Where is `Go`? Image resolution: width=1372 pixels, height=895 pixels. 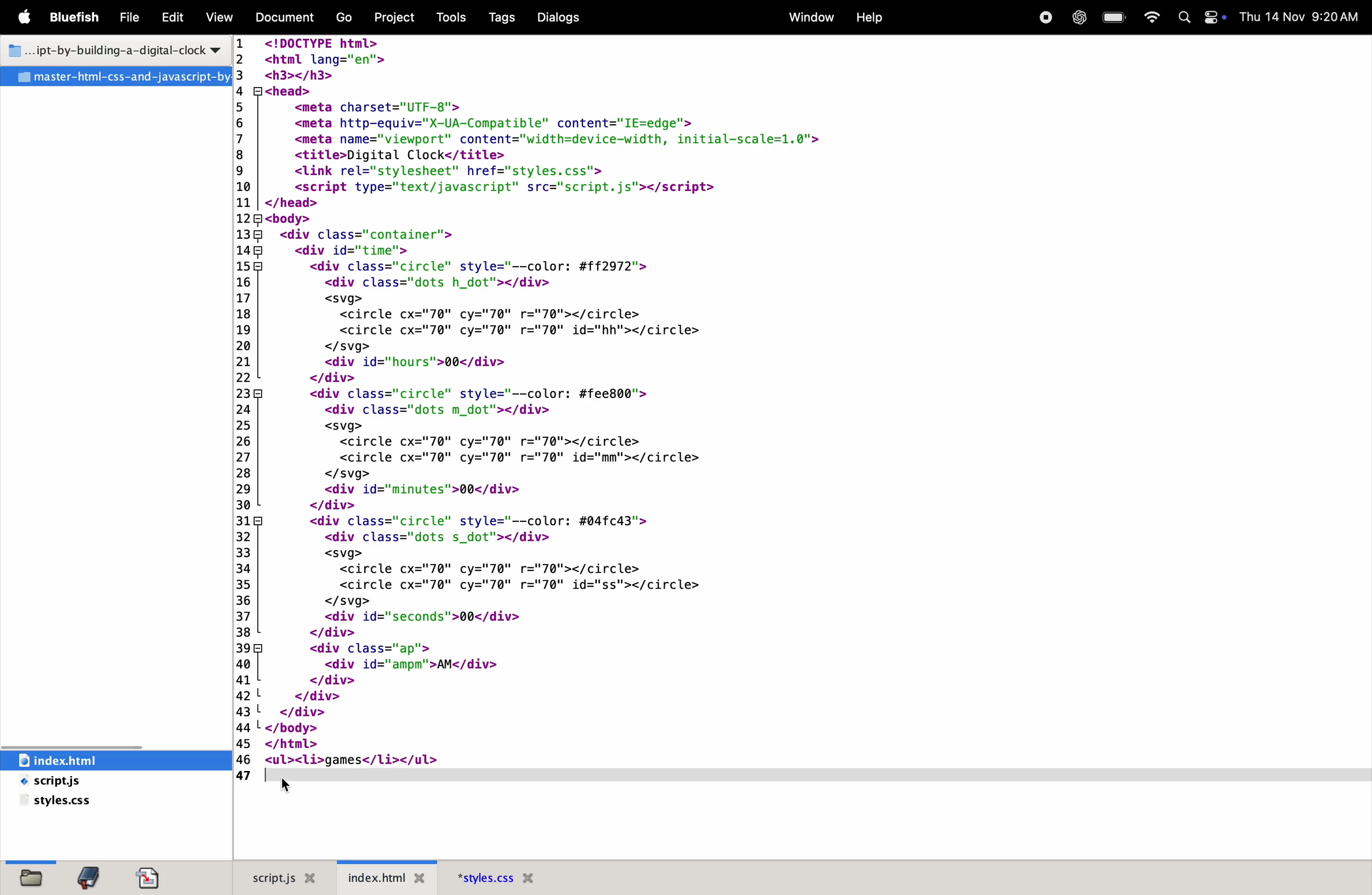 Go is located at coordinates (346, 18).